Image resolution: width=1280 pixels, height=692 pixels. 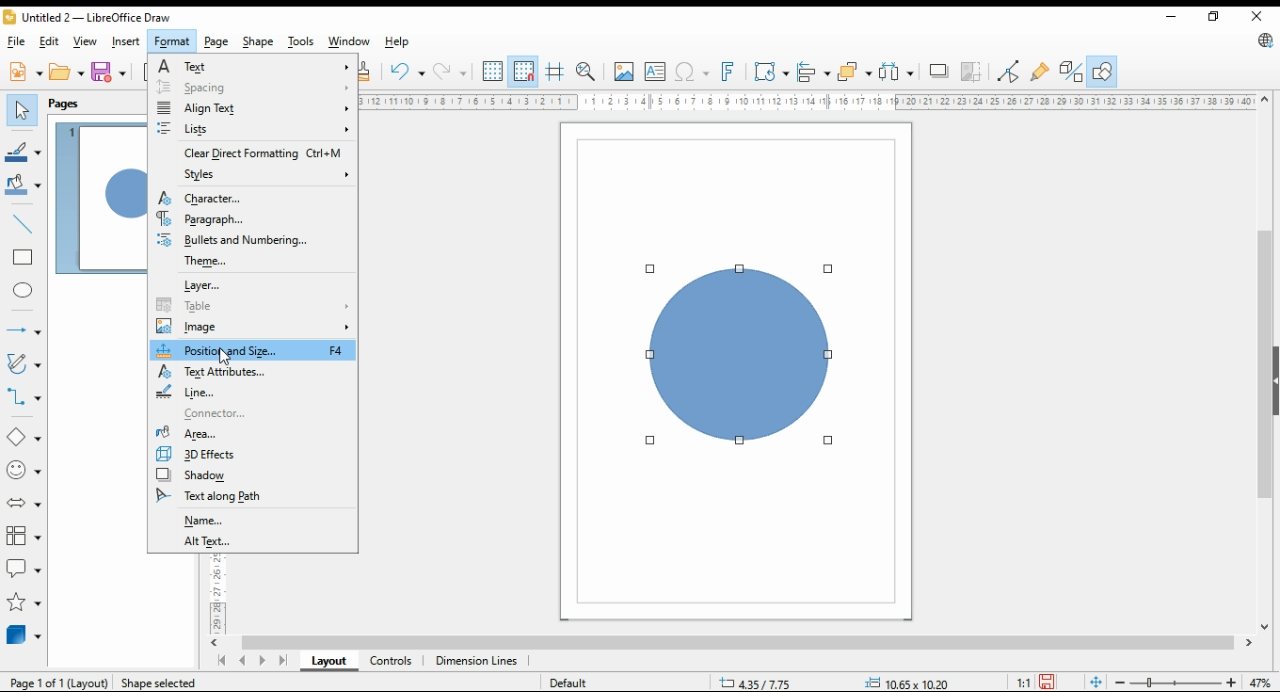 I want to click on fit page to window, so click(x=1095, y=681).